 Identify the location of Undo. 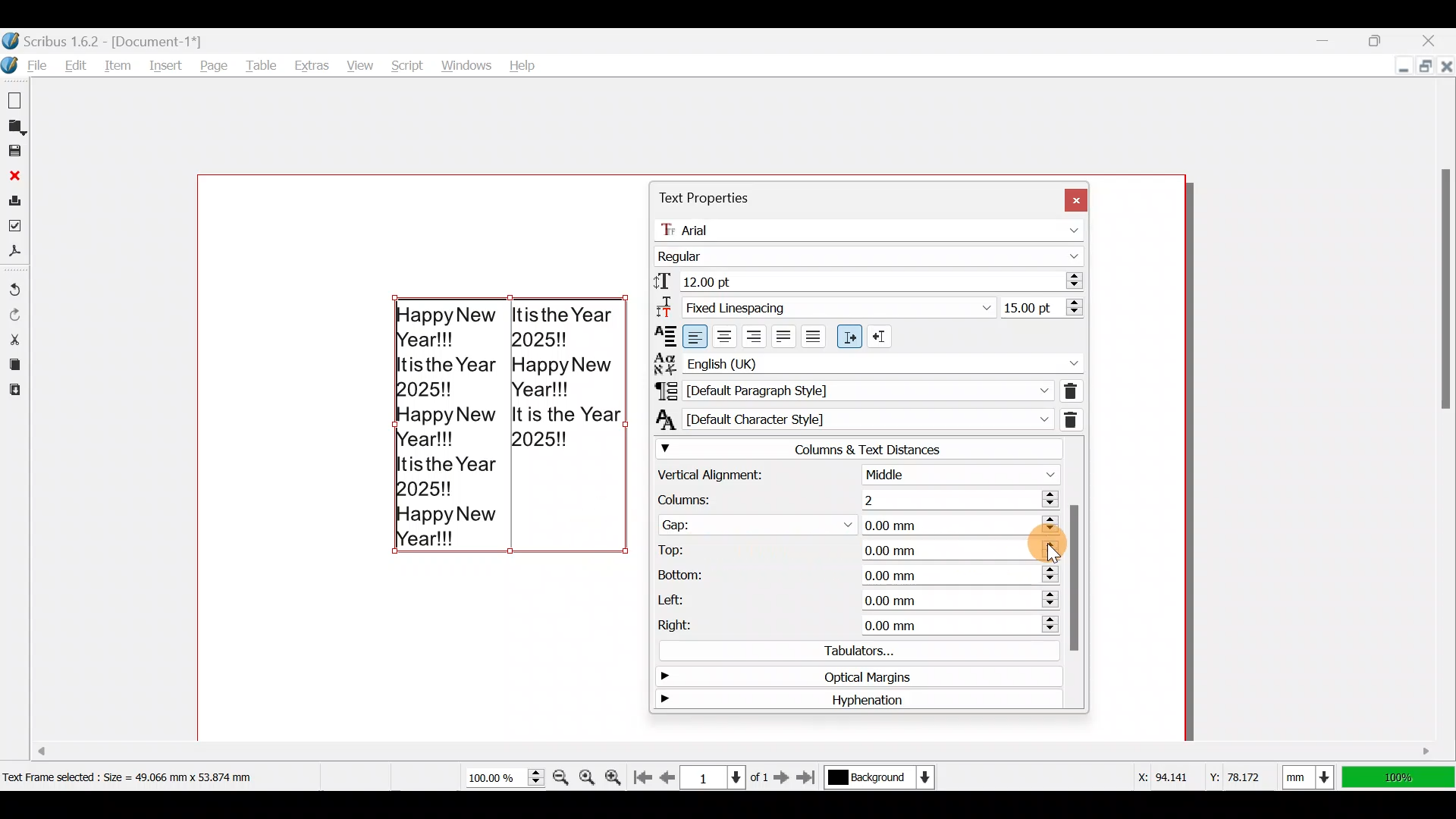
(15, 283).